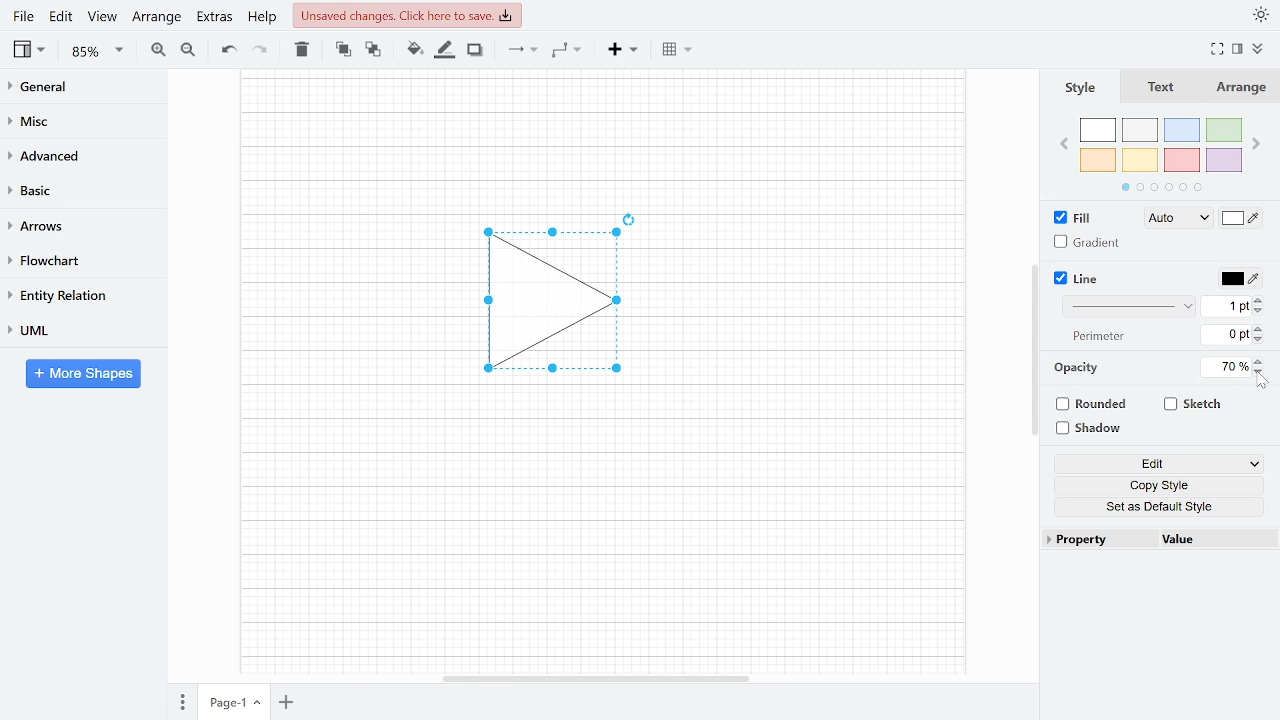 The height and width of the screenshot is (720, 1280). Describe the element at coordinates (83, 373) in the screenshot. I see `More shapes` at that location.